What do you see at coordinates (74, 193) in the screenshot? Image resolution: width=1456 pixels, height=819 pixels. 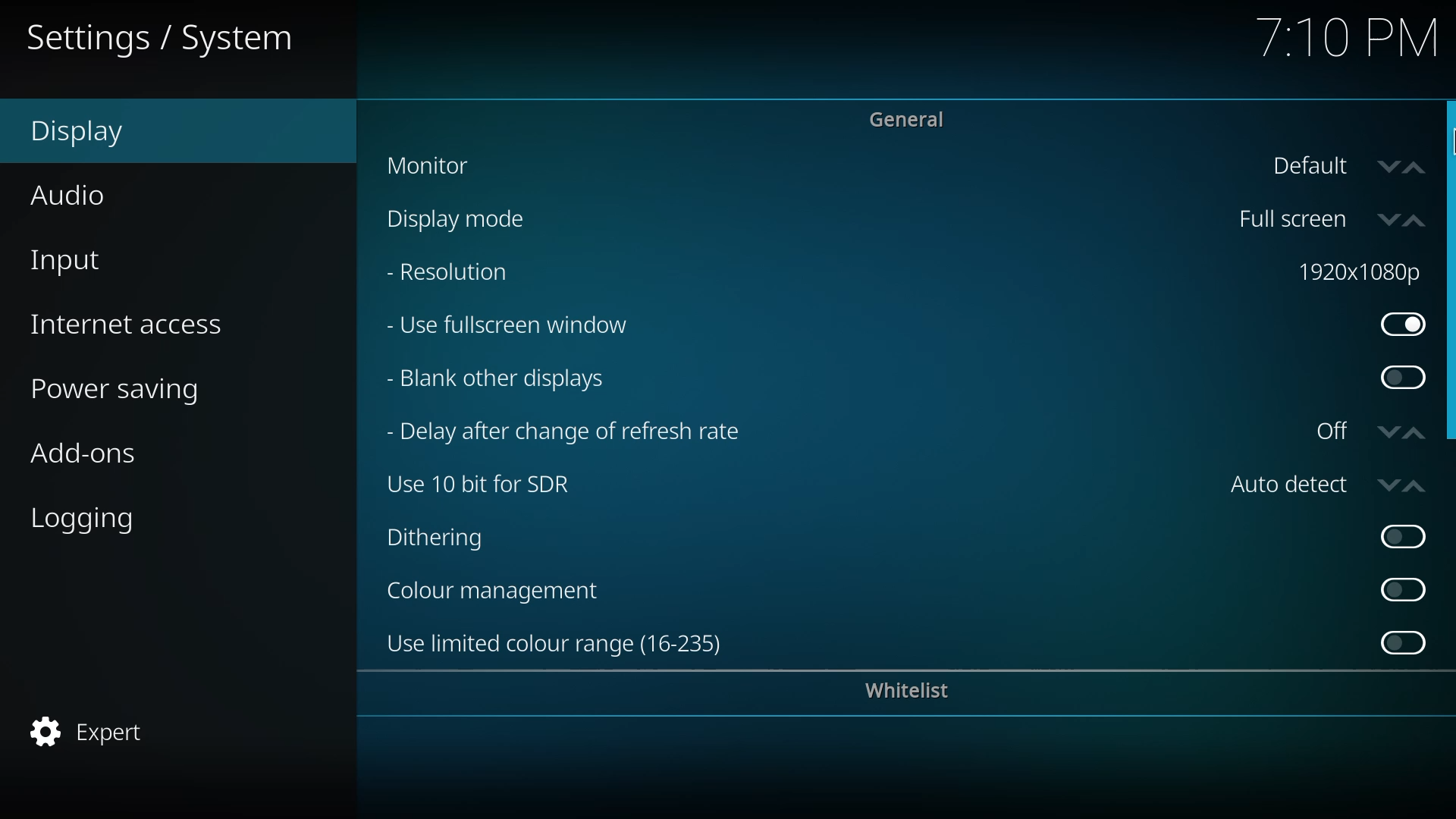 I see `audio` at bounding box center [74, 193].